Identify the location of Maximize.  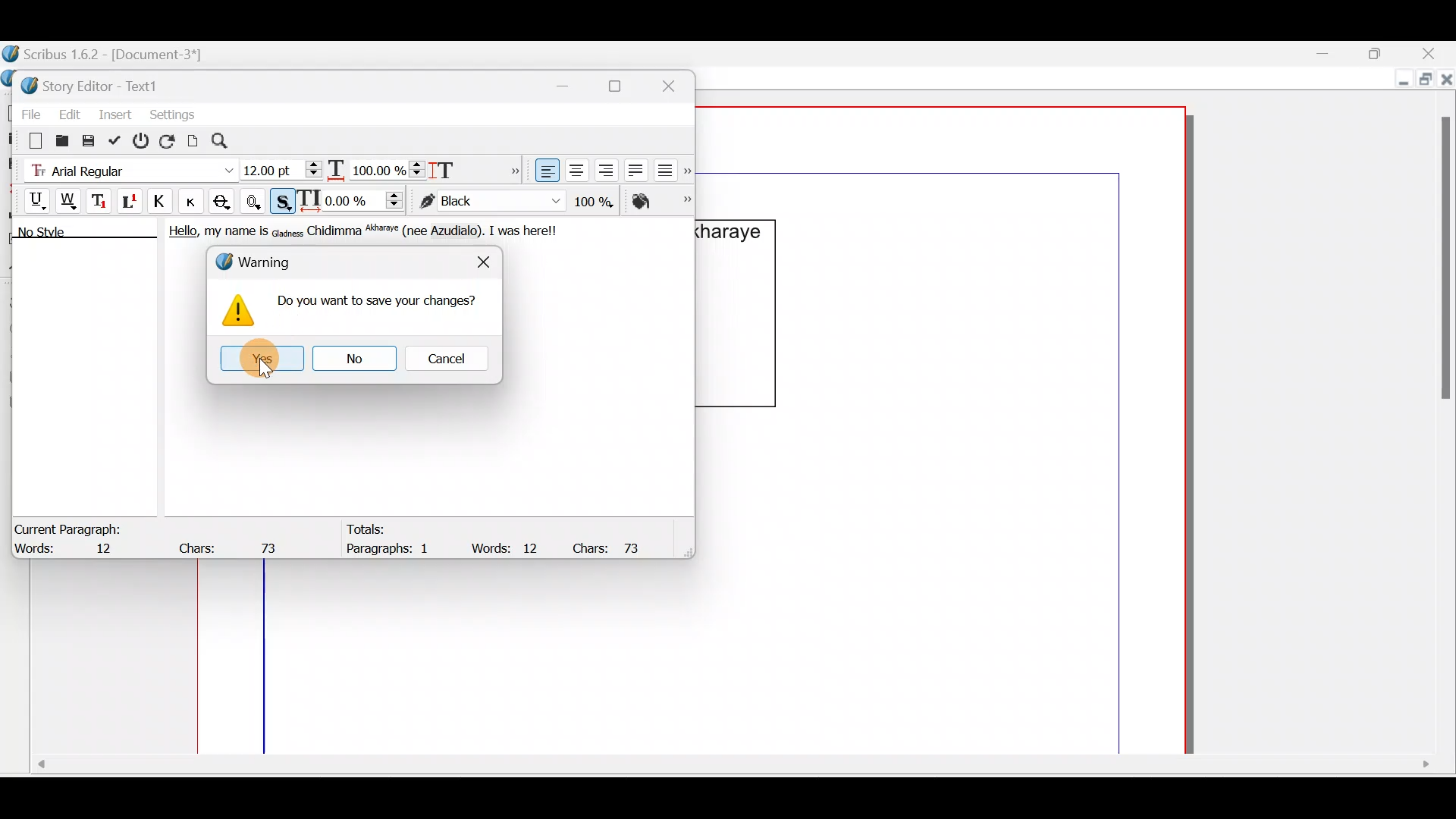
(1384, 52).